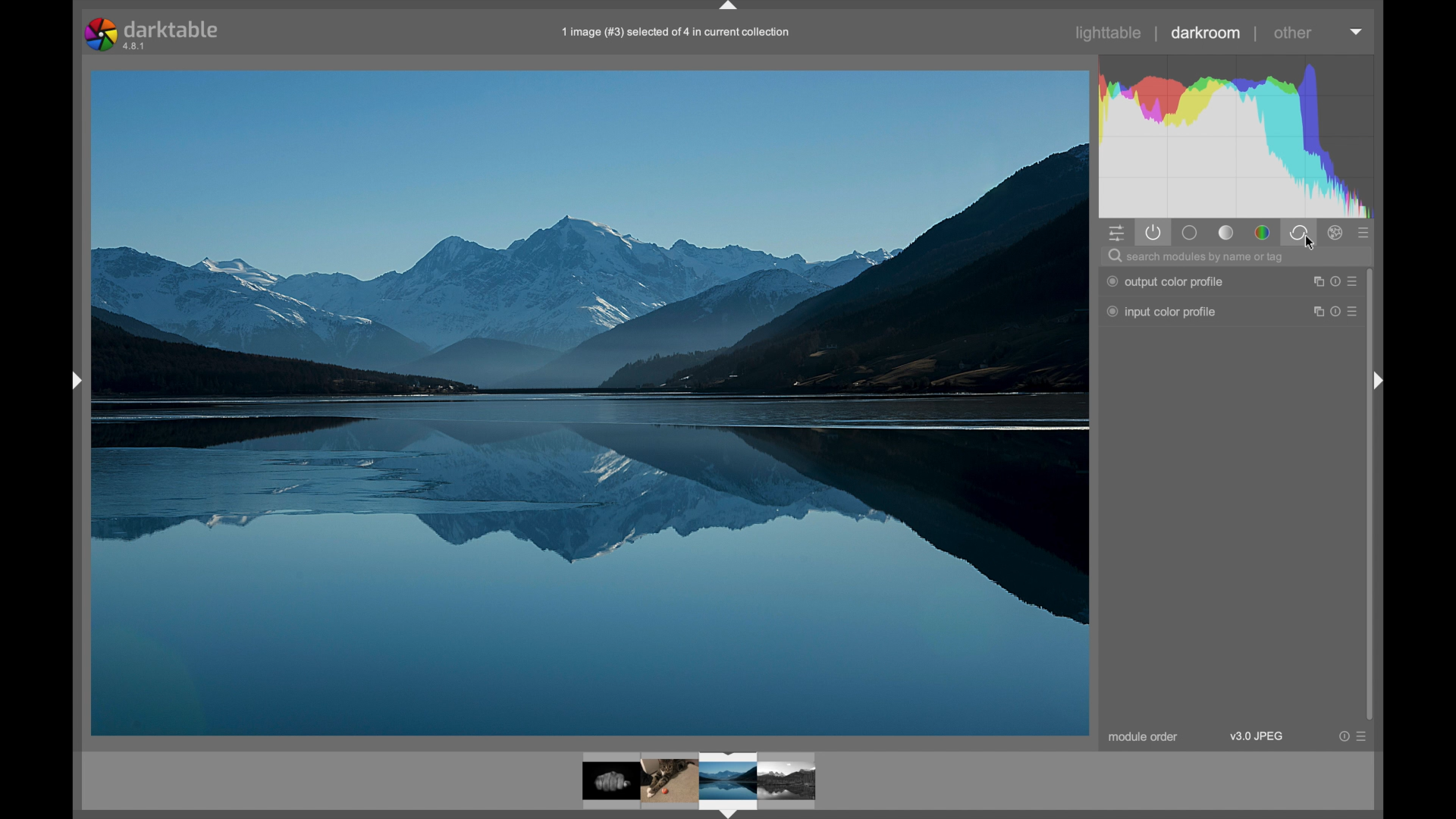 The width and height of the screenshot is (1456, 819). Describe the element at coordinates (1336, 312) in the screenshot. I see `more options` at that location.